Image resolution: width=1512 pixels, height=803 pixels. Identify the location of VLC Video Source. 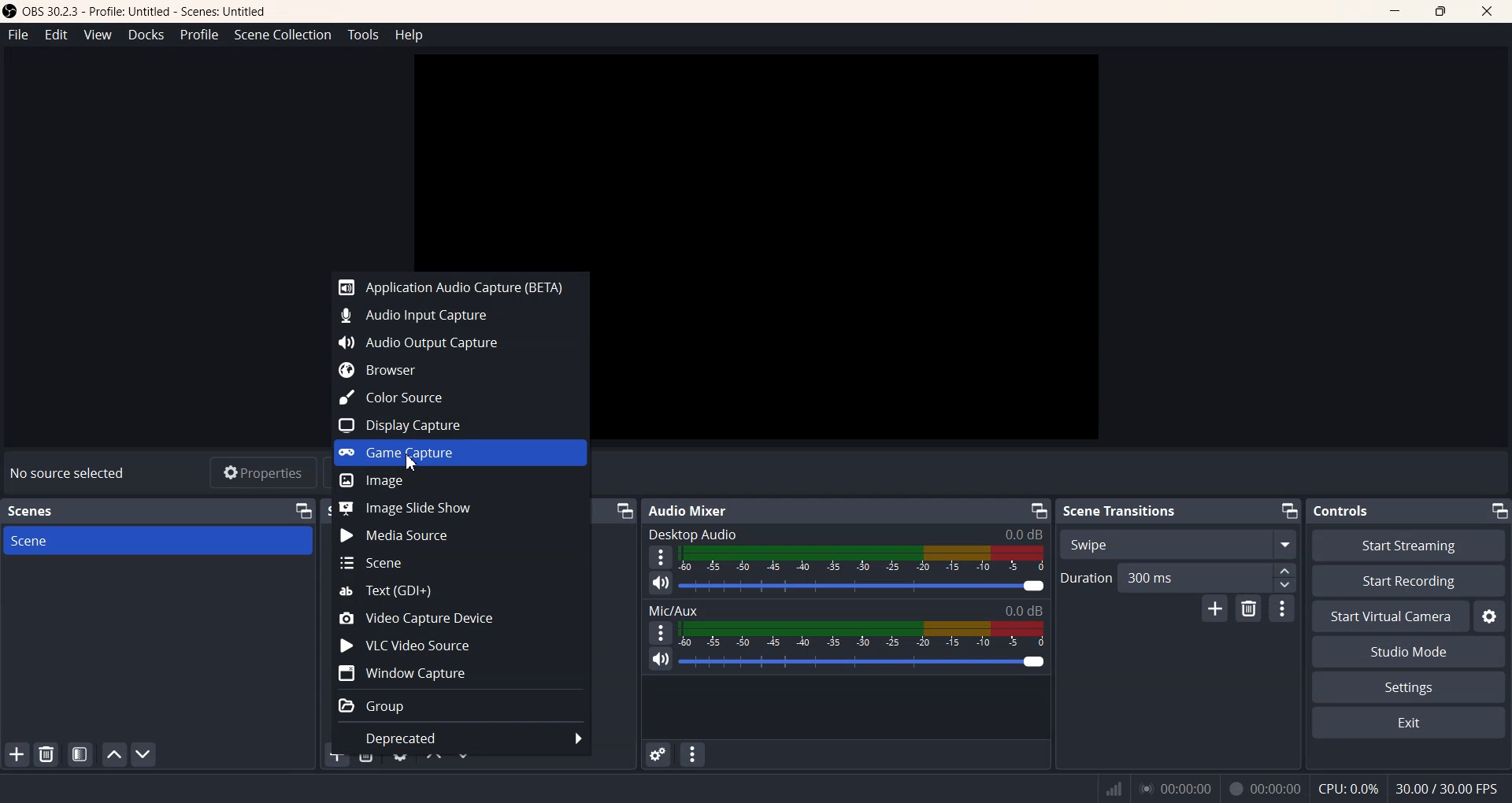
(459, 644).